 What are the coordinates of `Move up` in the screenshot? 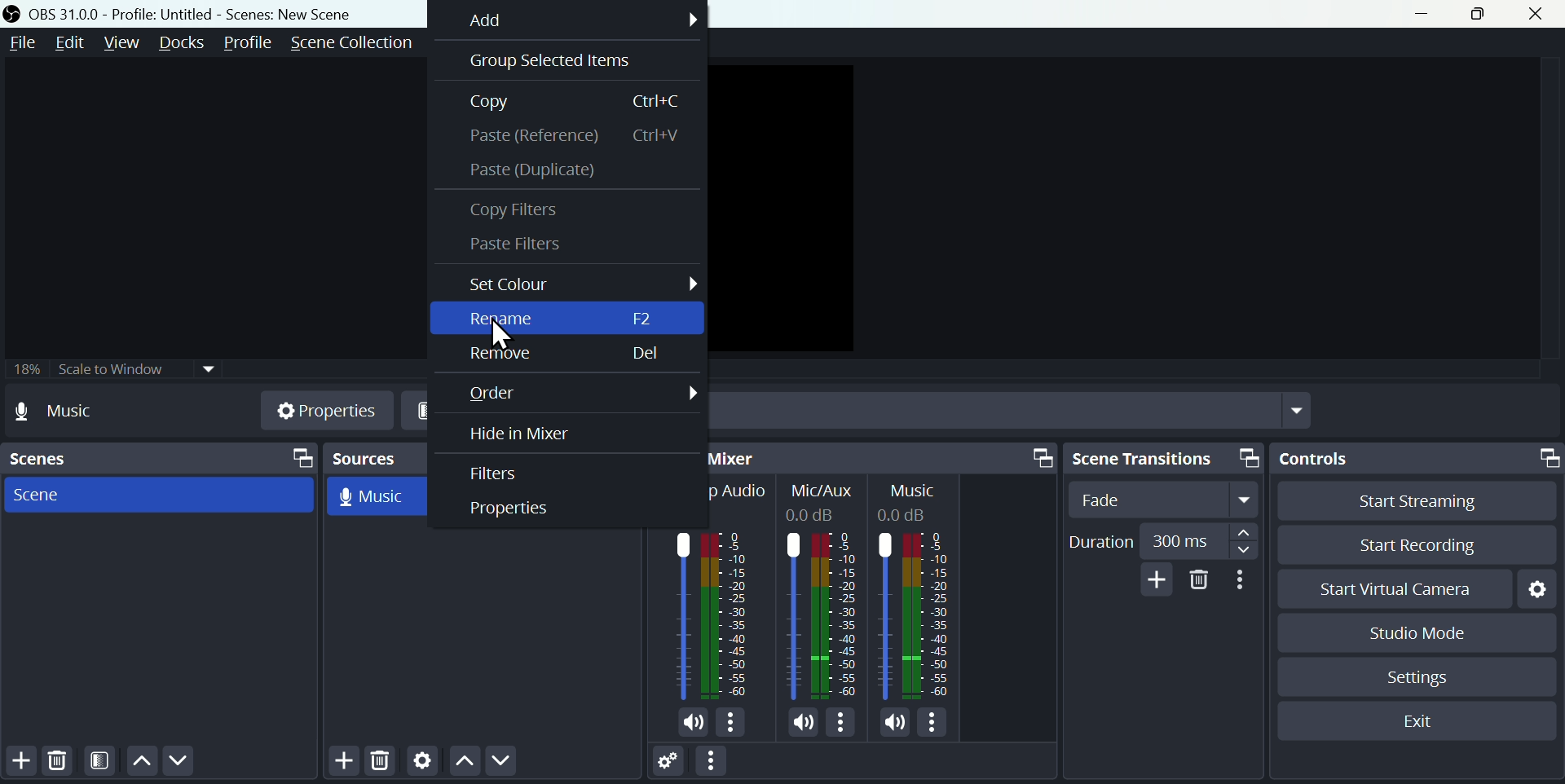 It's located at (463, 762).